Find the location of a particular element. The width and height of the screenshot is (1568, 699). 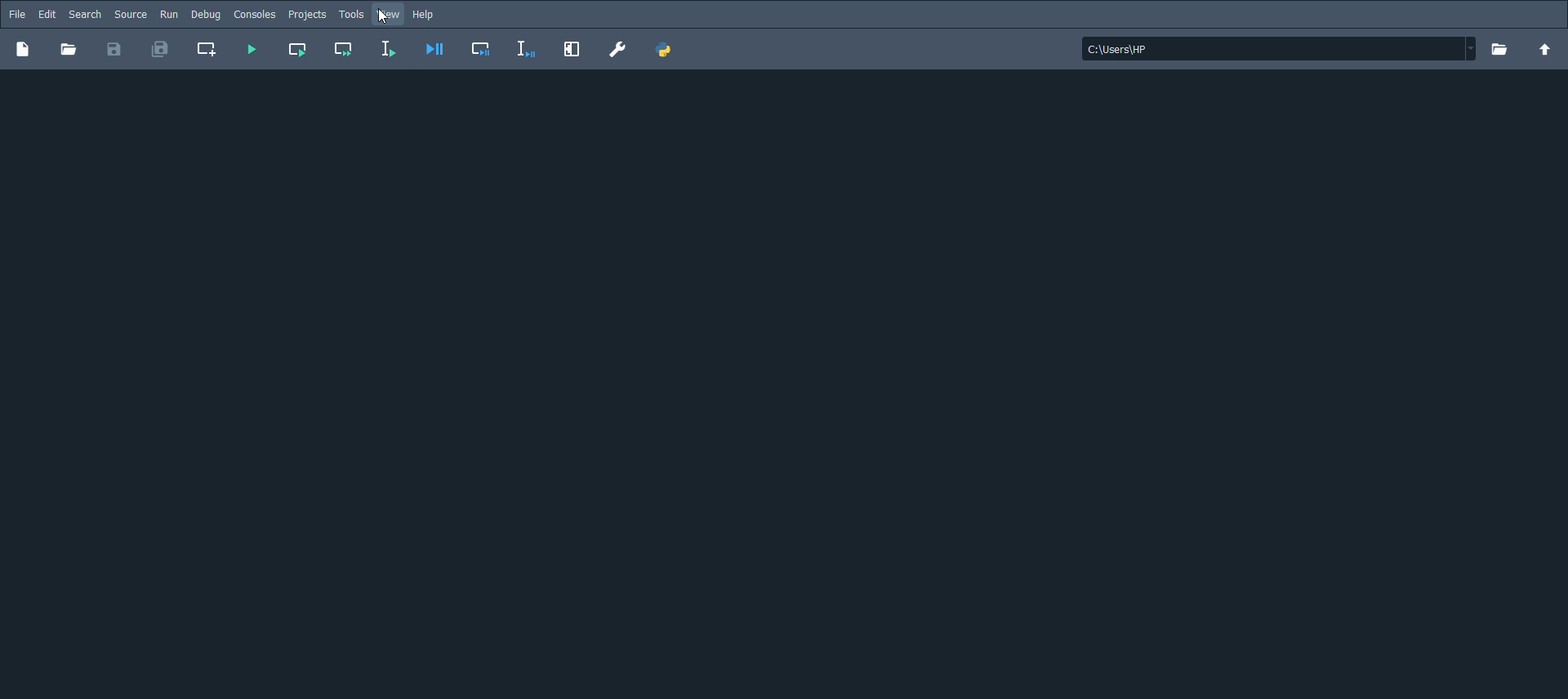

Tools is located at coordinates (351, 15).